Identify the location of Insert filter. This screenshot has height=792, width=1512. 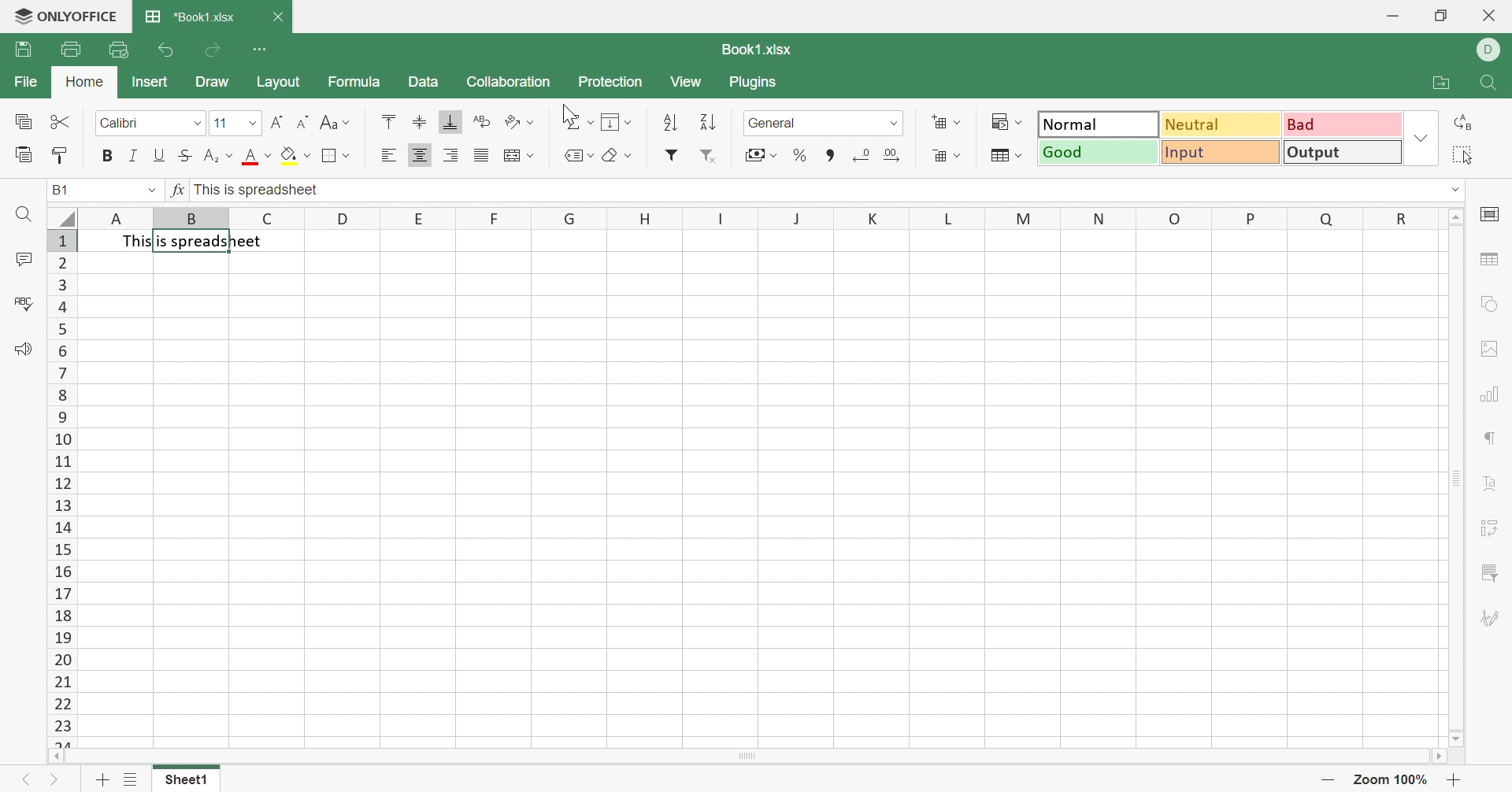
(672, 157).